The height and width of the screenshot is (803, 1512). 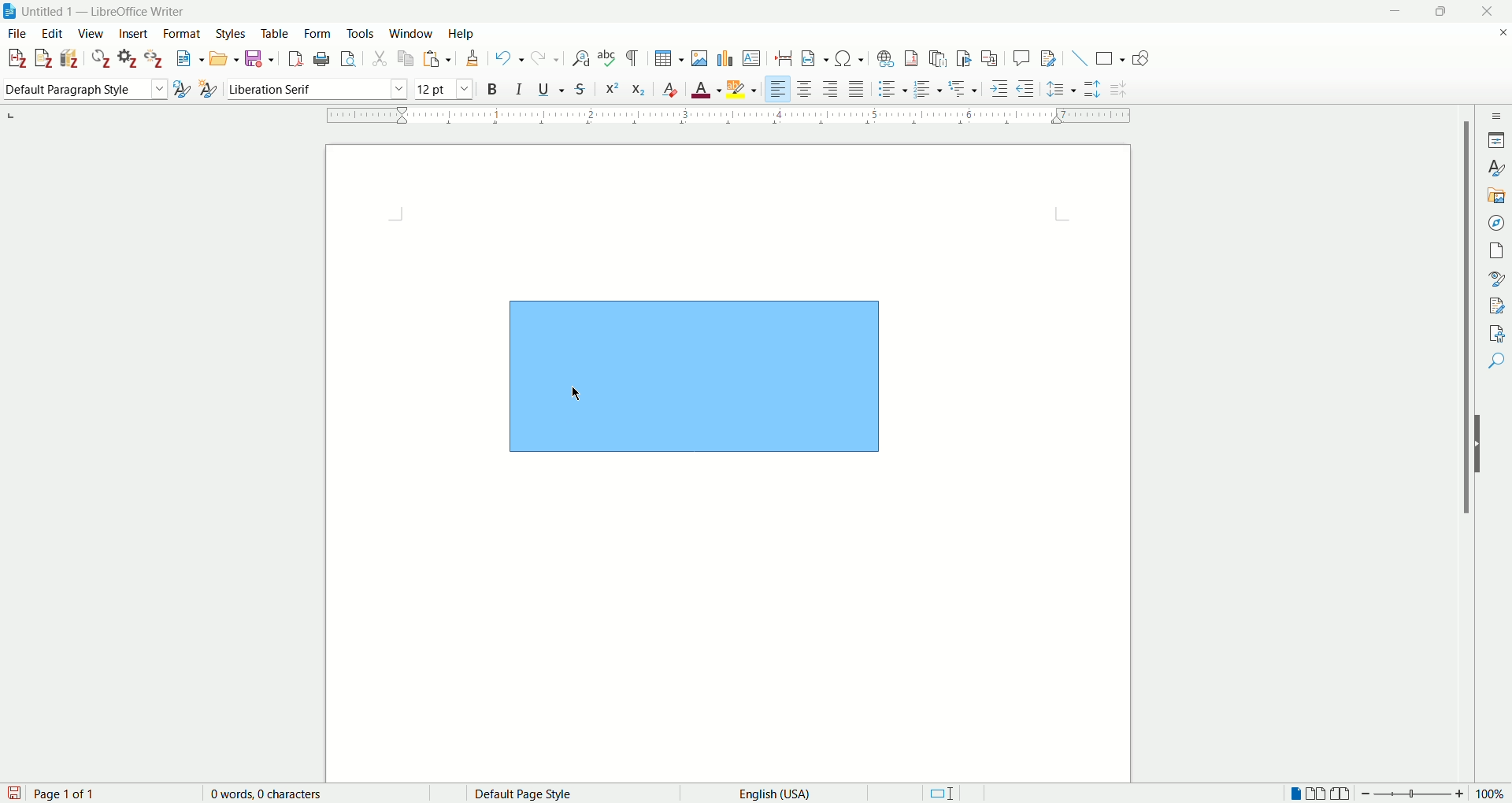 I want to click on styles, so click(x=233, y=33).